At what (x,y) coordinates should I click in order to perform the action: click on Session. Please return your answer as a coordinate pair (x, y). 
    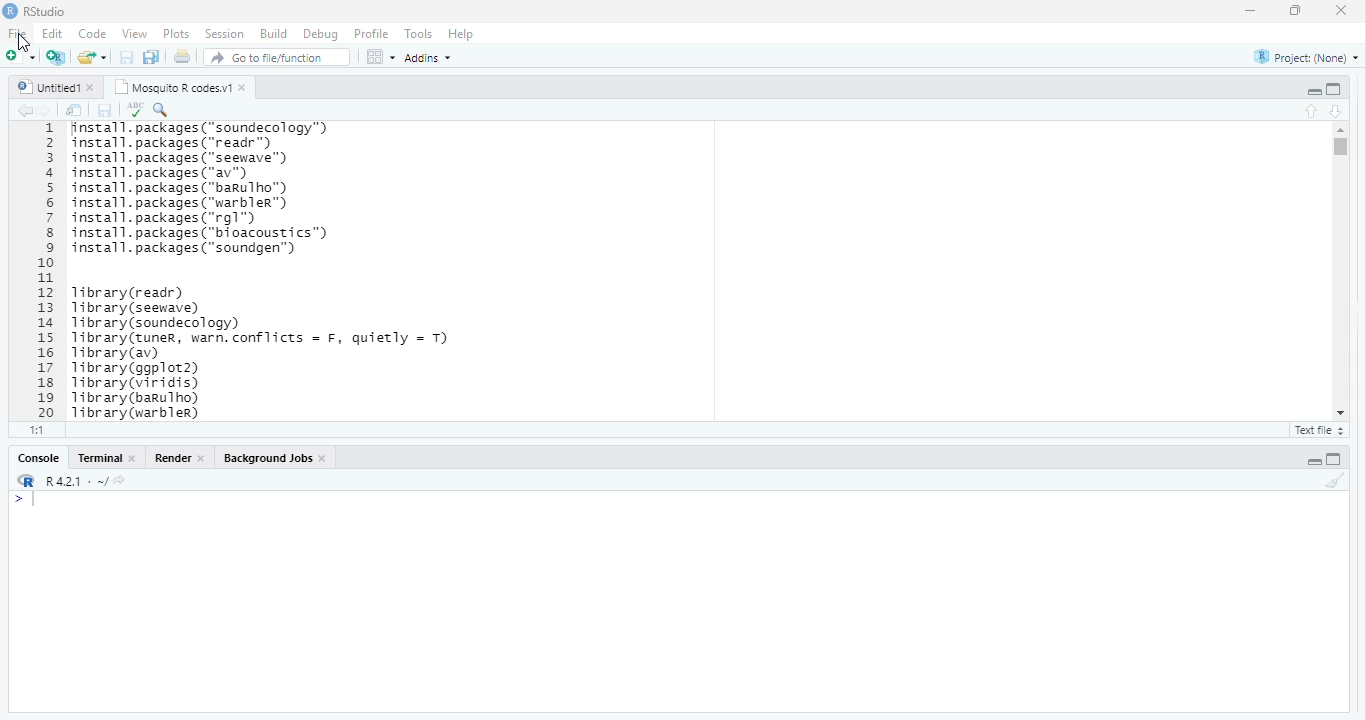
    Looking at the image, I should click on (227, 34).